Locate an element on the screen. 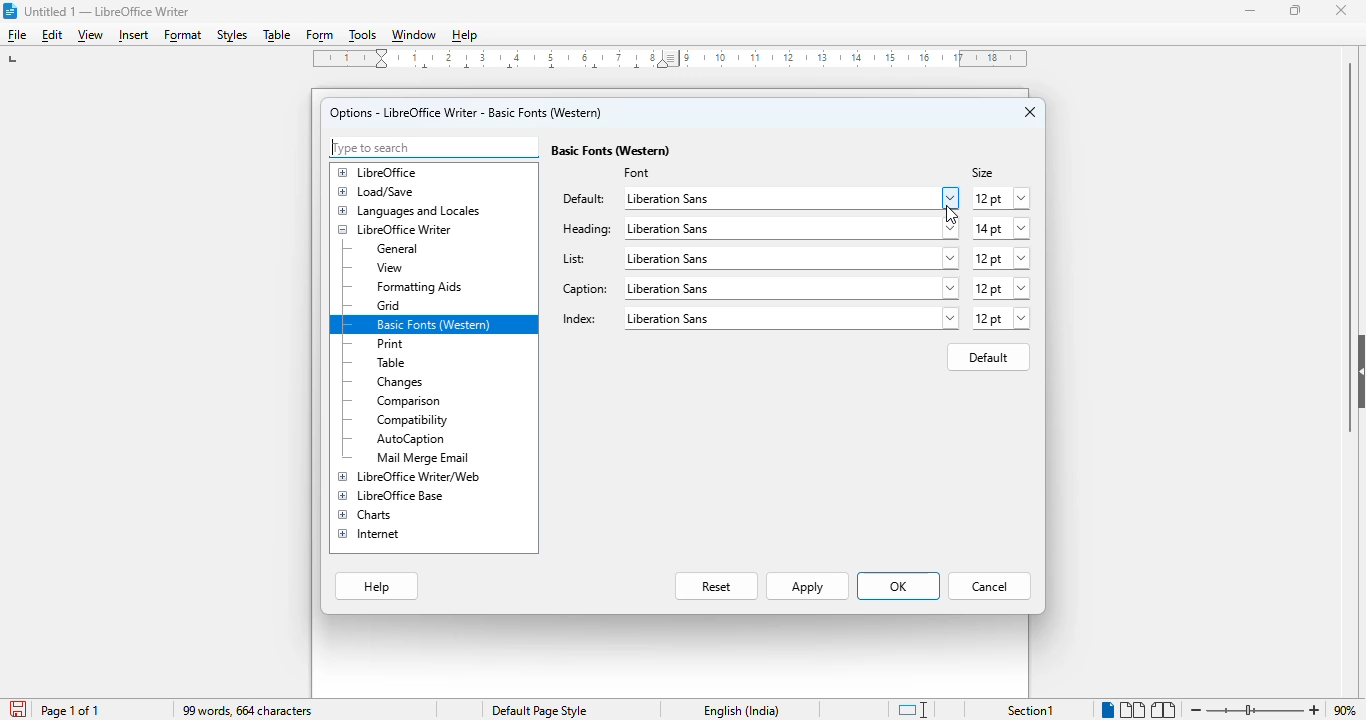 Image resolution: width=1366 pixels, height=720 pixels. changes is located at coordinates (399, 383).